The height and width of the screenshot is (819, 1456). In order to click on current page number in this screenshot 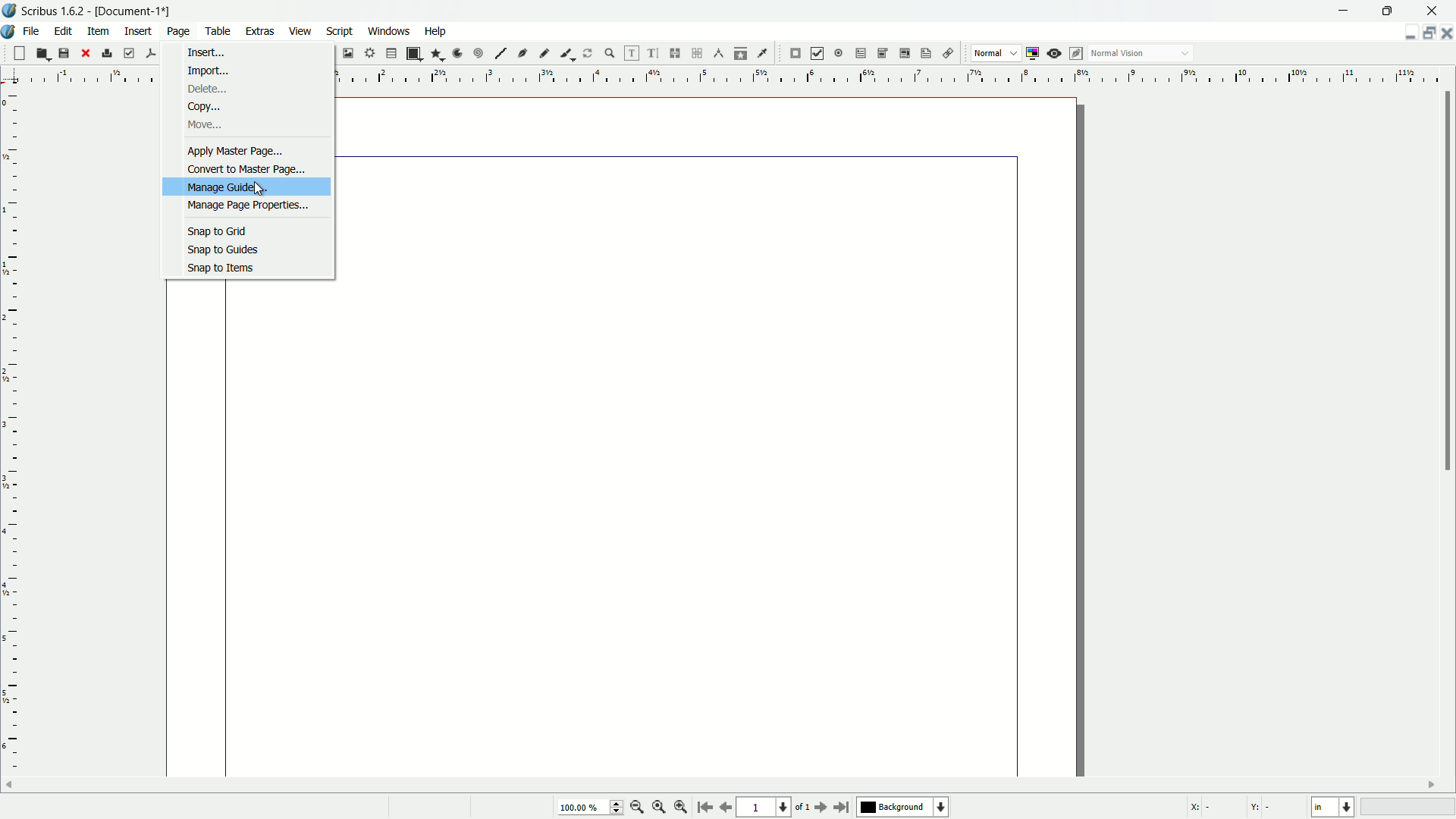, I will do `click(763, 808)`.